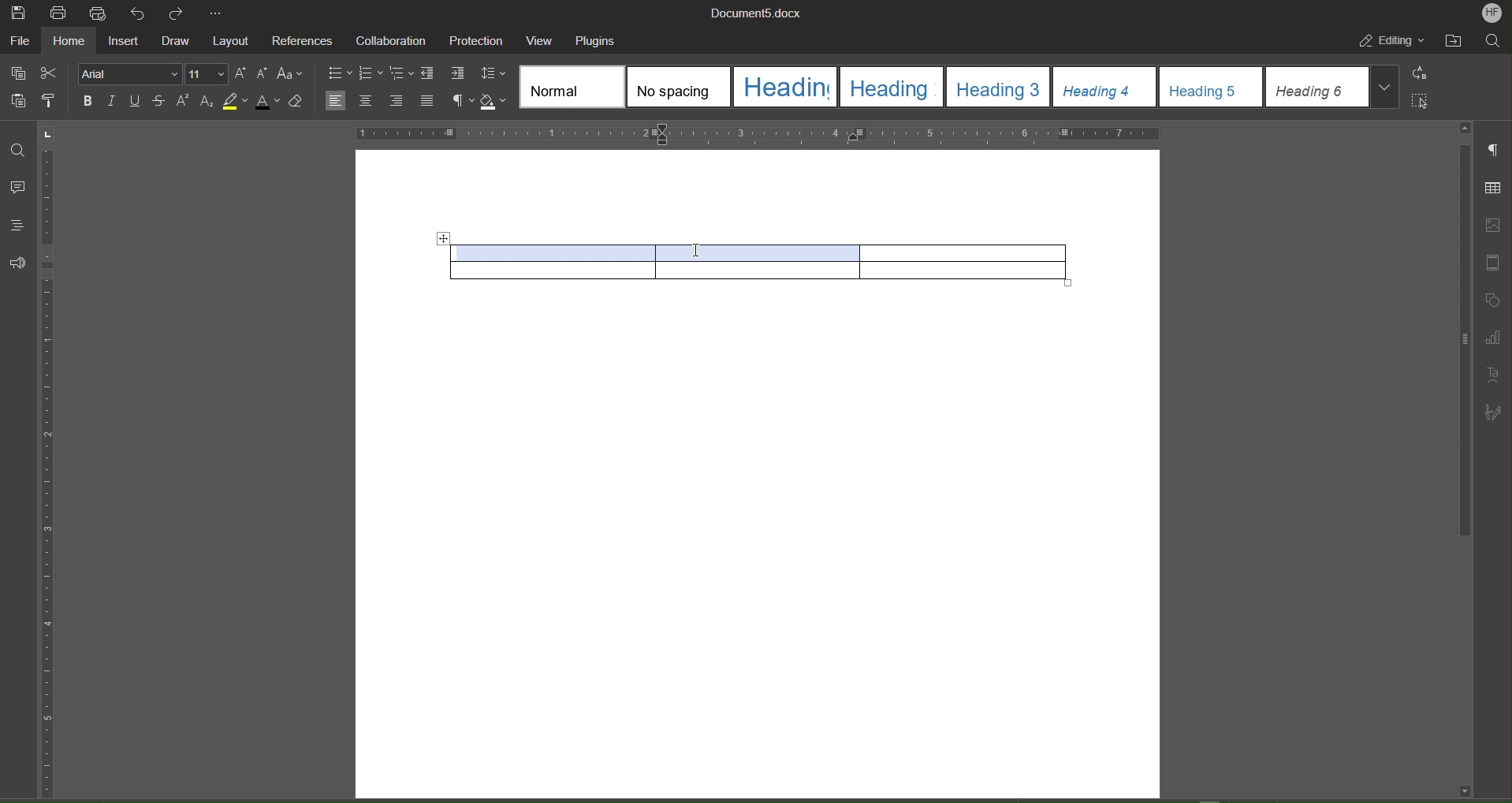 This screenshot has height=803, width=1512. I want to click on Feedback and Support, so click(18, 263).